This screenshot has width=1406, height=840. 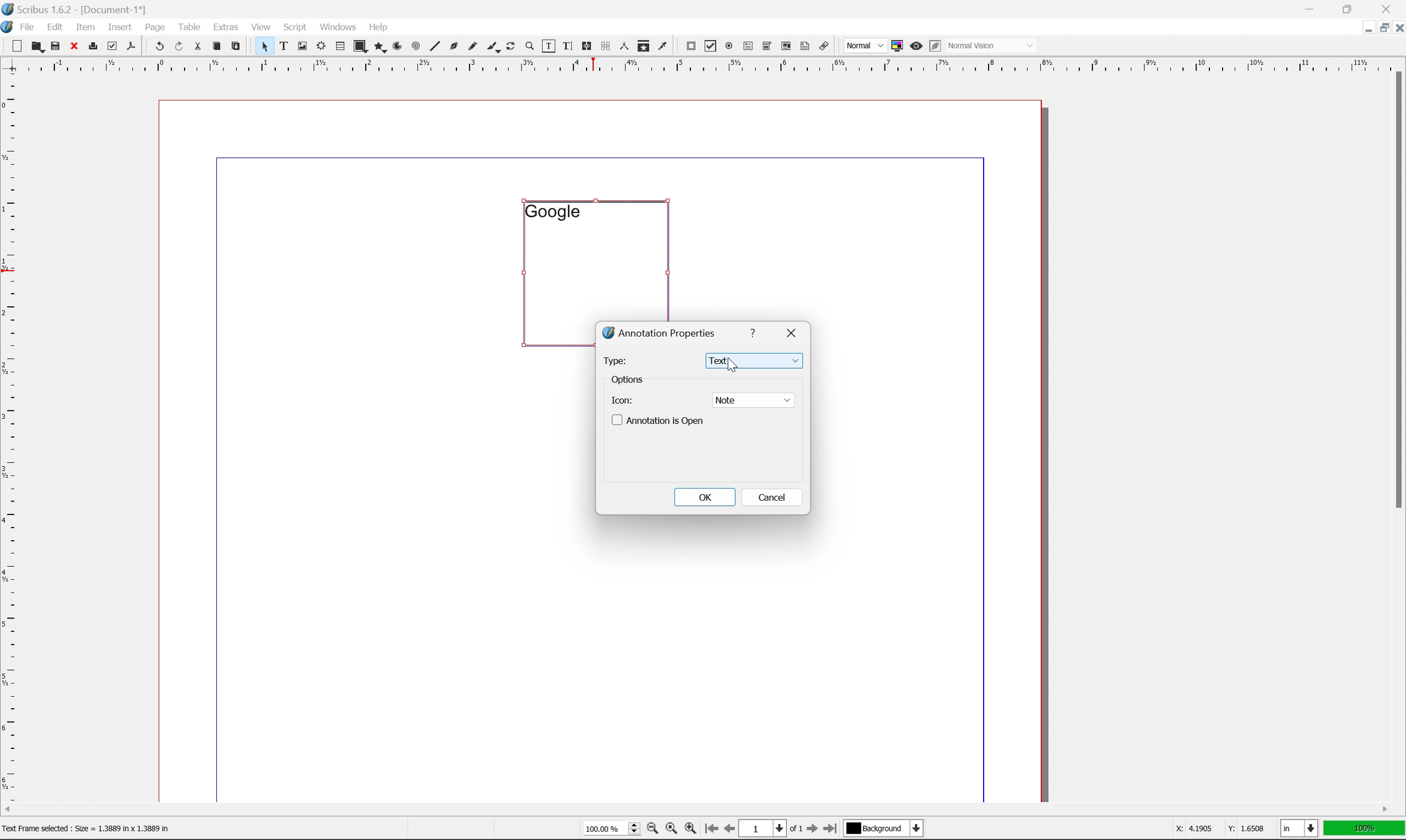 What do you see at coordinates (702, 64) in the screenshot?
I see `ruler` at bounding box center [702, 64].